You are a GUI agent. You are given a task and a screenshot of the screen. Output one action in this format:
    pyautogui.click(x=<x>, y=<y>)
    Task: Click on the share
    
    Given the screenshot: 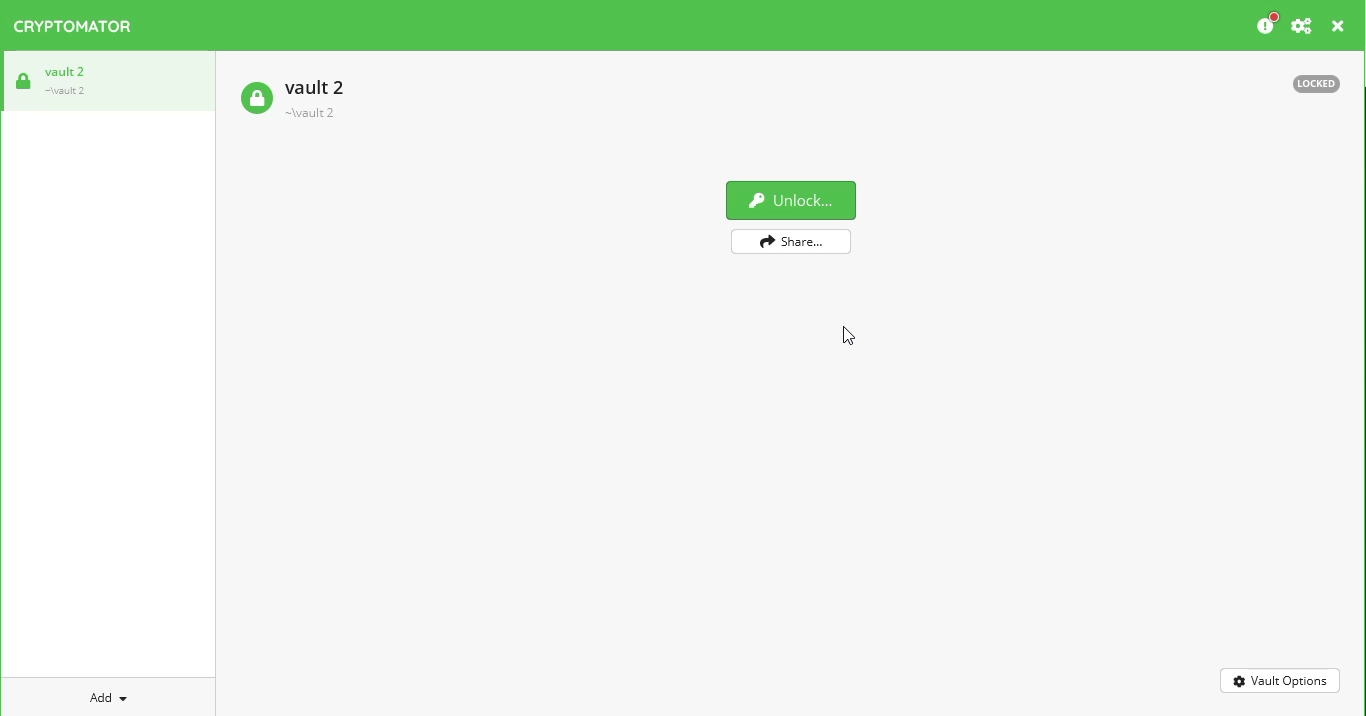 What is the action you would take?
    pyautogui.click(x=791, y=241)
    